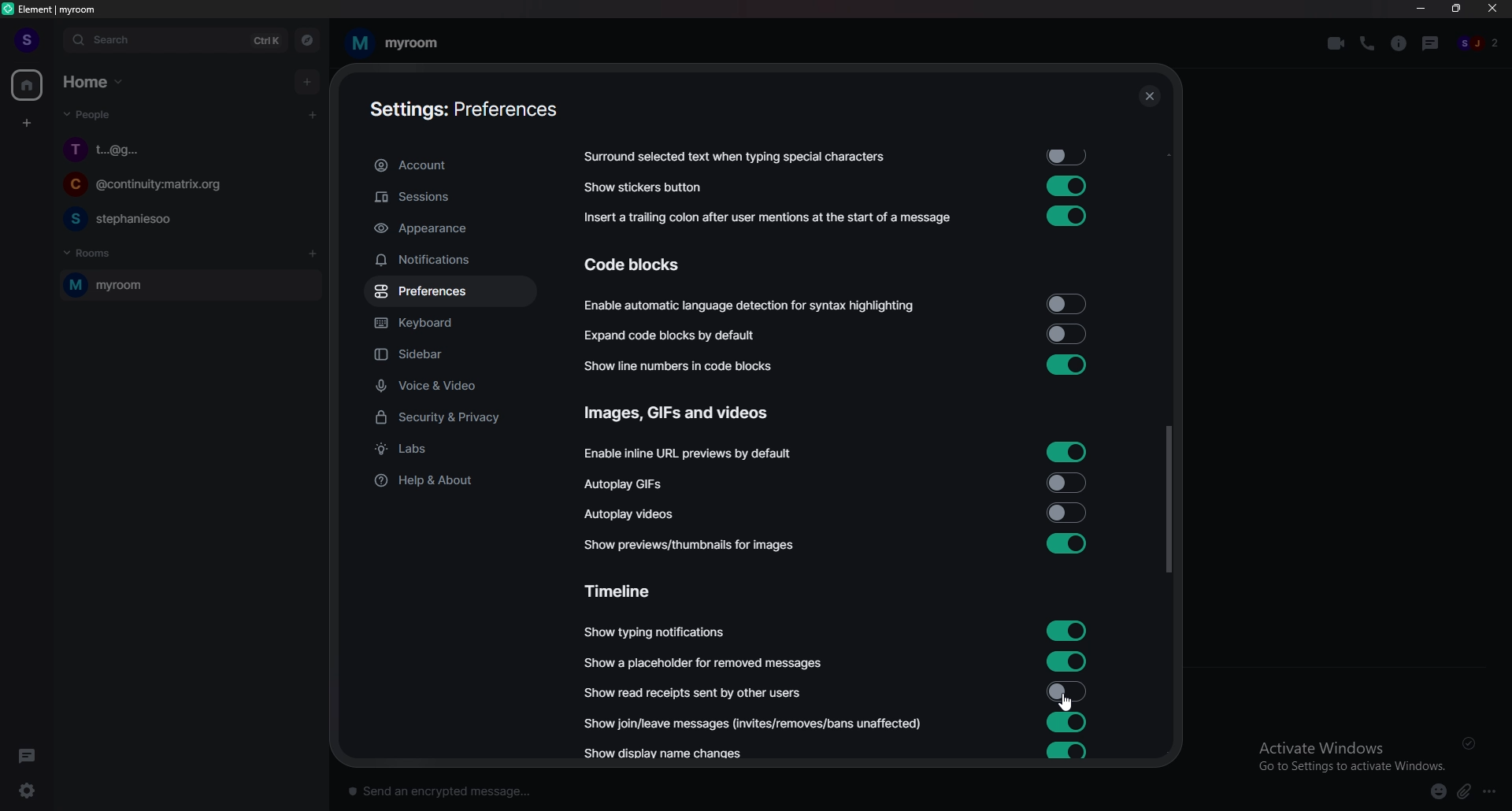 Image resolution: width=1512 pixels, height=811 pixels. I want to click on video call, so click(1336, 43).